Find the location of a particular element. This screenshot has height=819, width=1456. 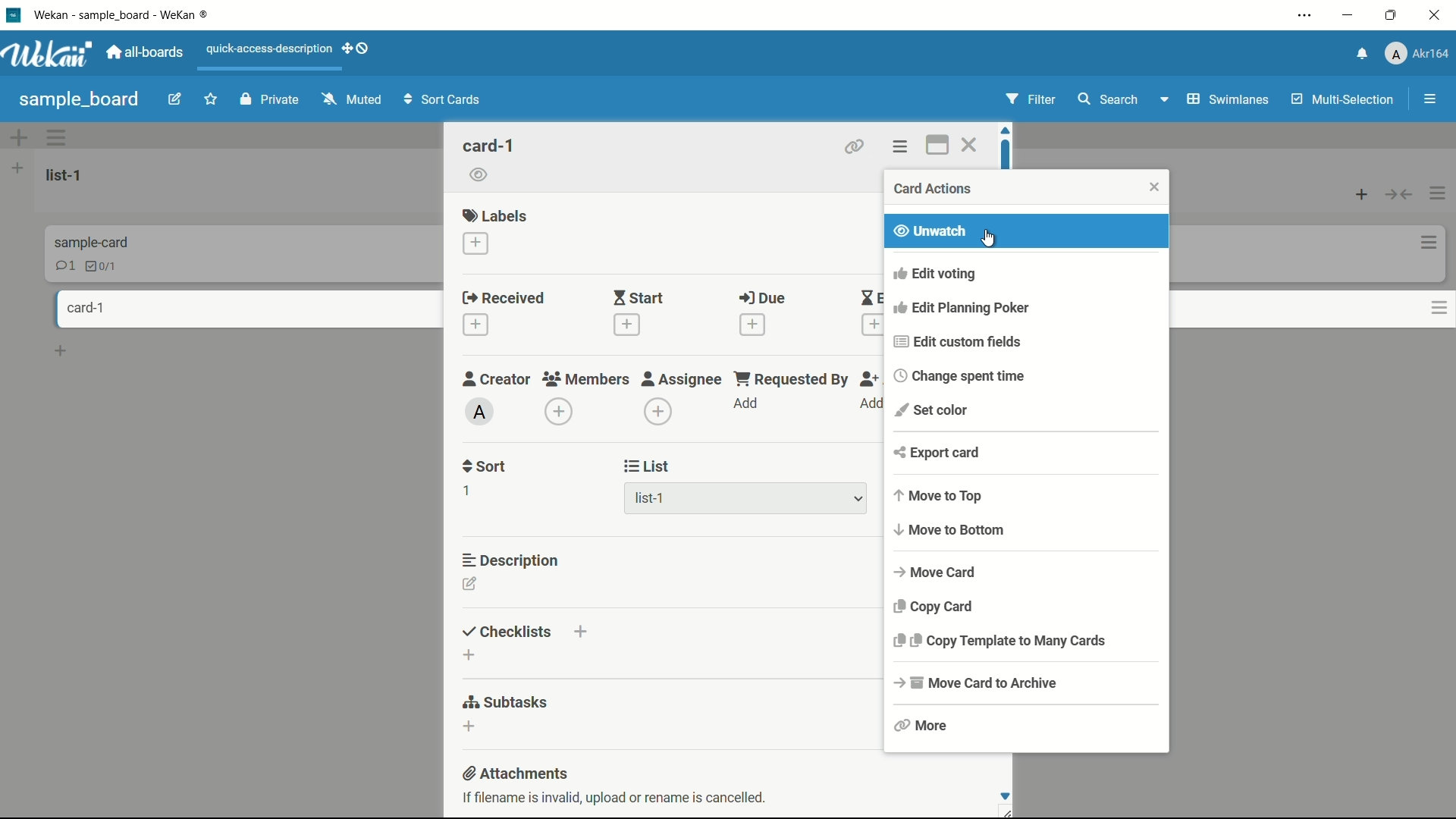

copy card is located at coordinates (937, 604).